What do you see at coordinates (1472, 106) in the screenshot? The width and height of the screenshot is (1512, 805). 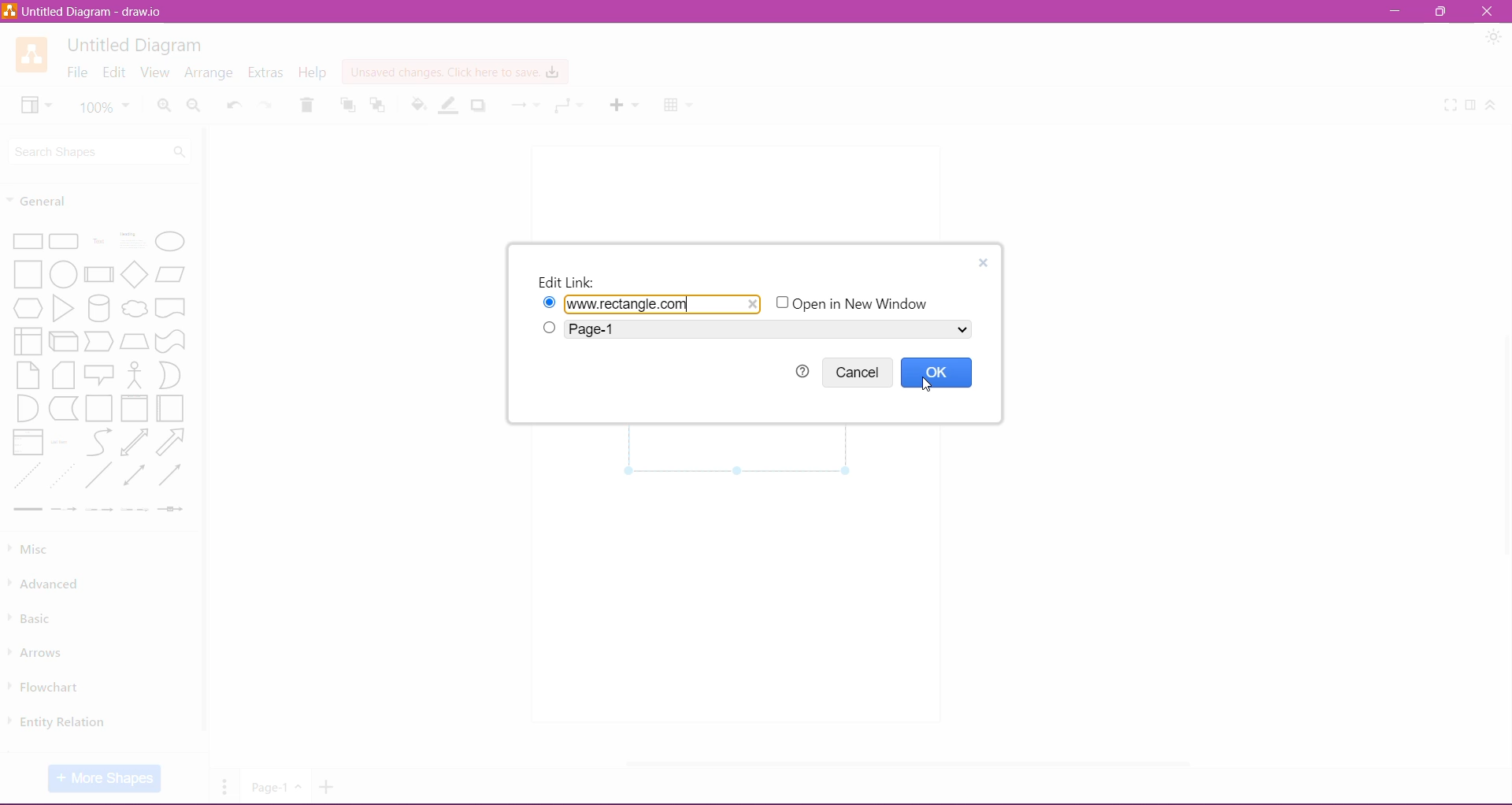 I see `Format` at bounding box center [1472, 106].